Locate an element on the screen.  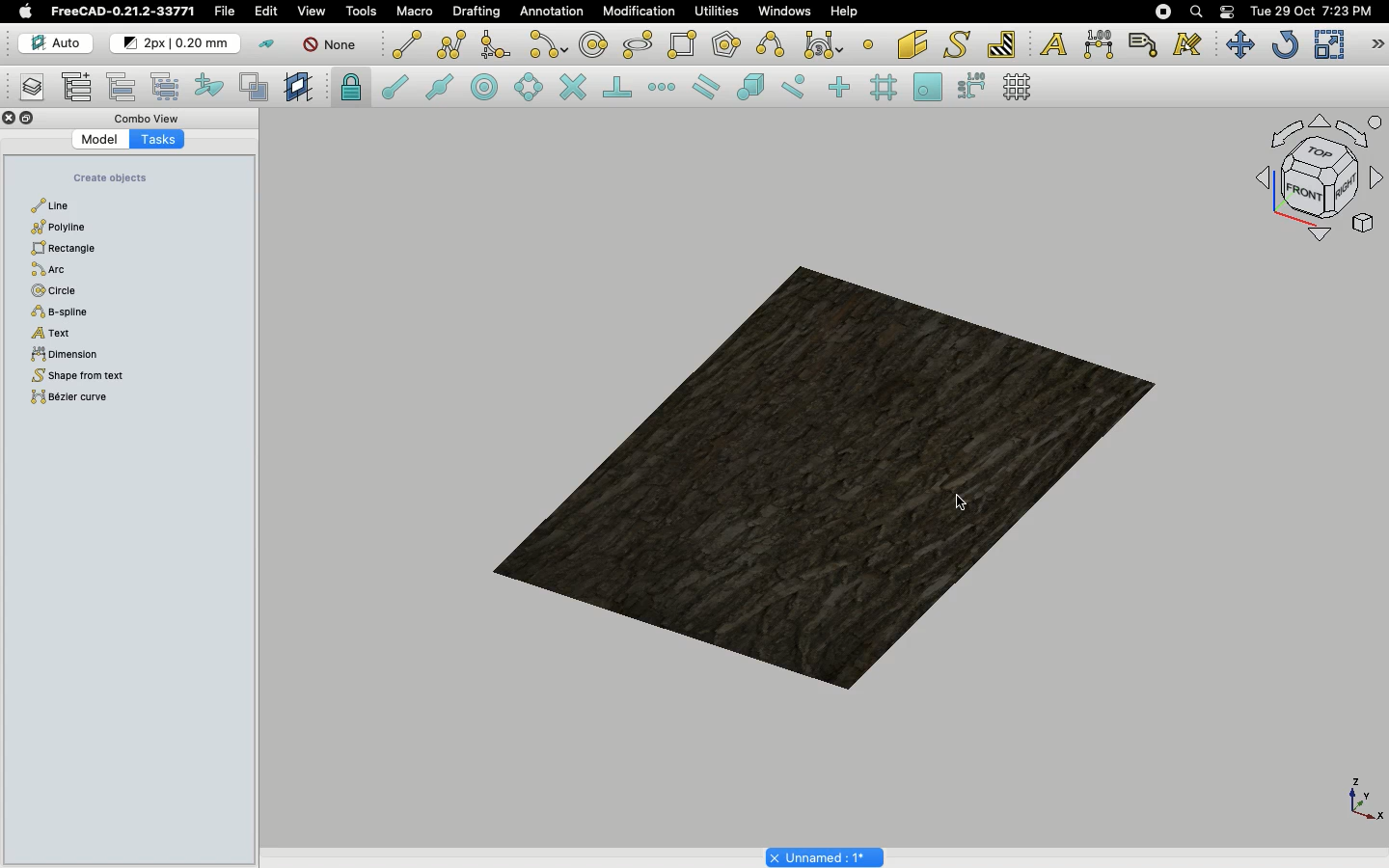
File is located at coordinates (227, 12).